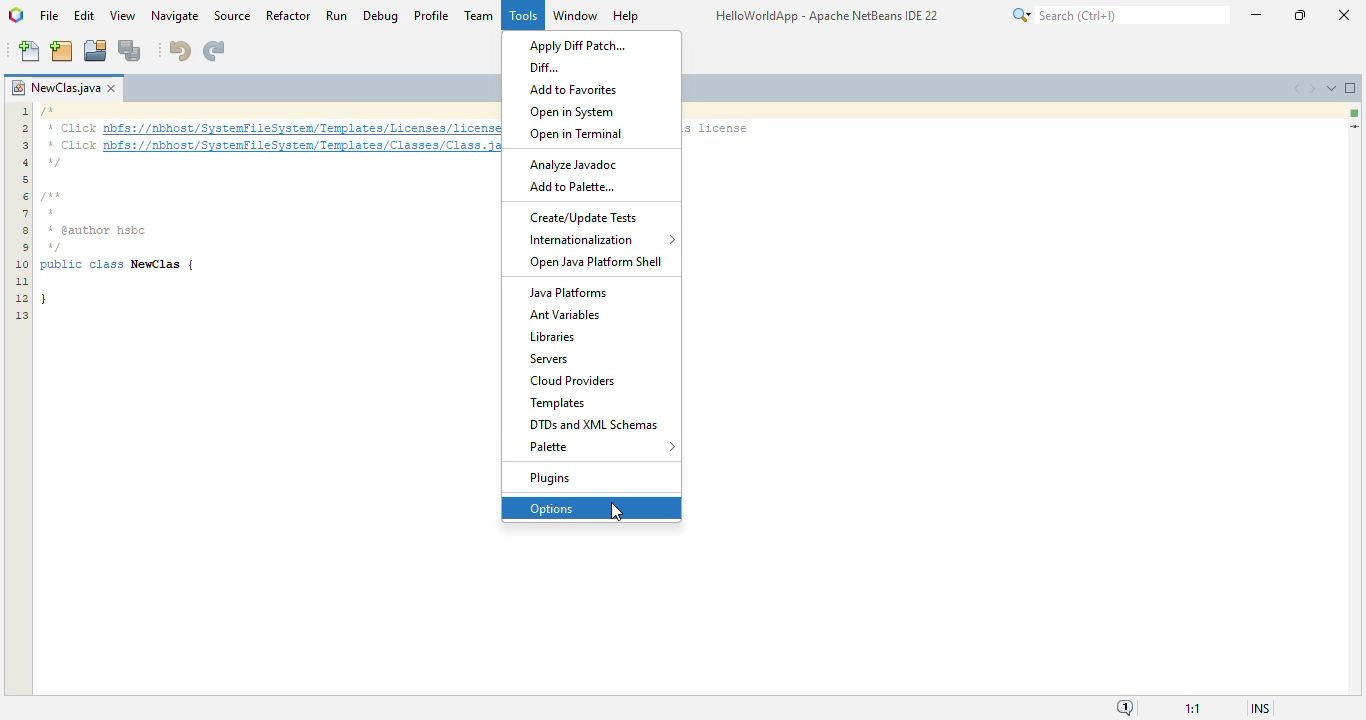  Describe the element at coordinates (598, 263) in the screenshot. I see `open java platform shell` at that location.